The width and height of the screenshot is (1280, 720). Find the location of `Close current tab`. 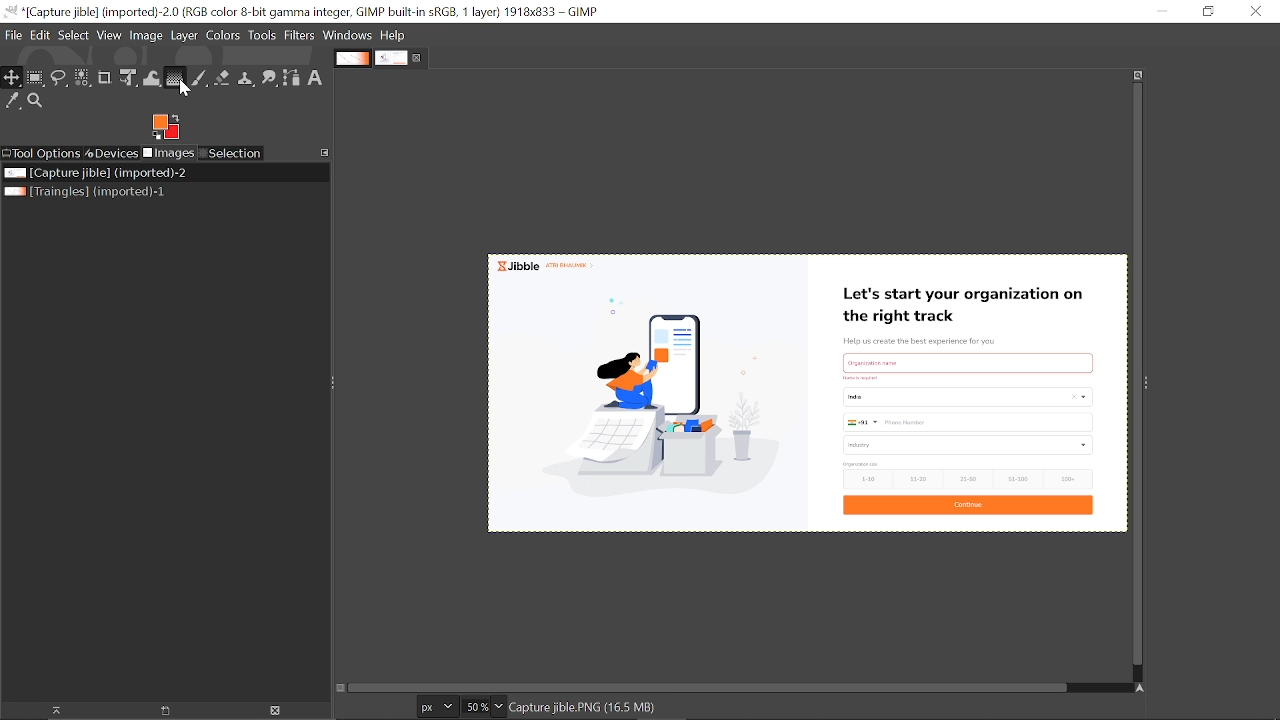

Close current tab is located at coordinates (418, 56).